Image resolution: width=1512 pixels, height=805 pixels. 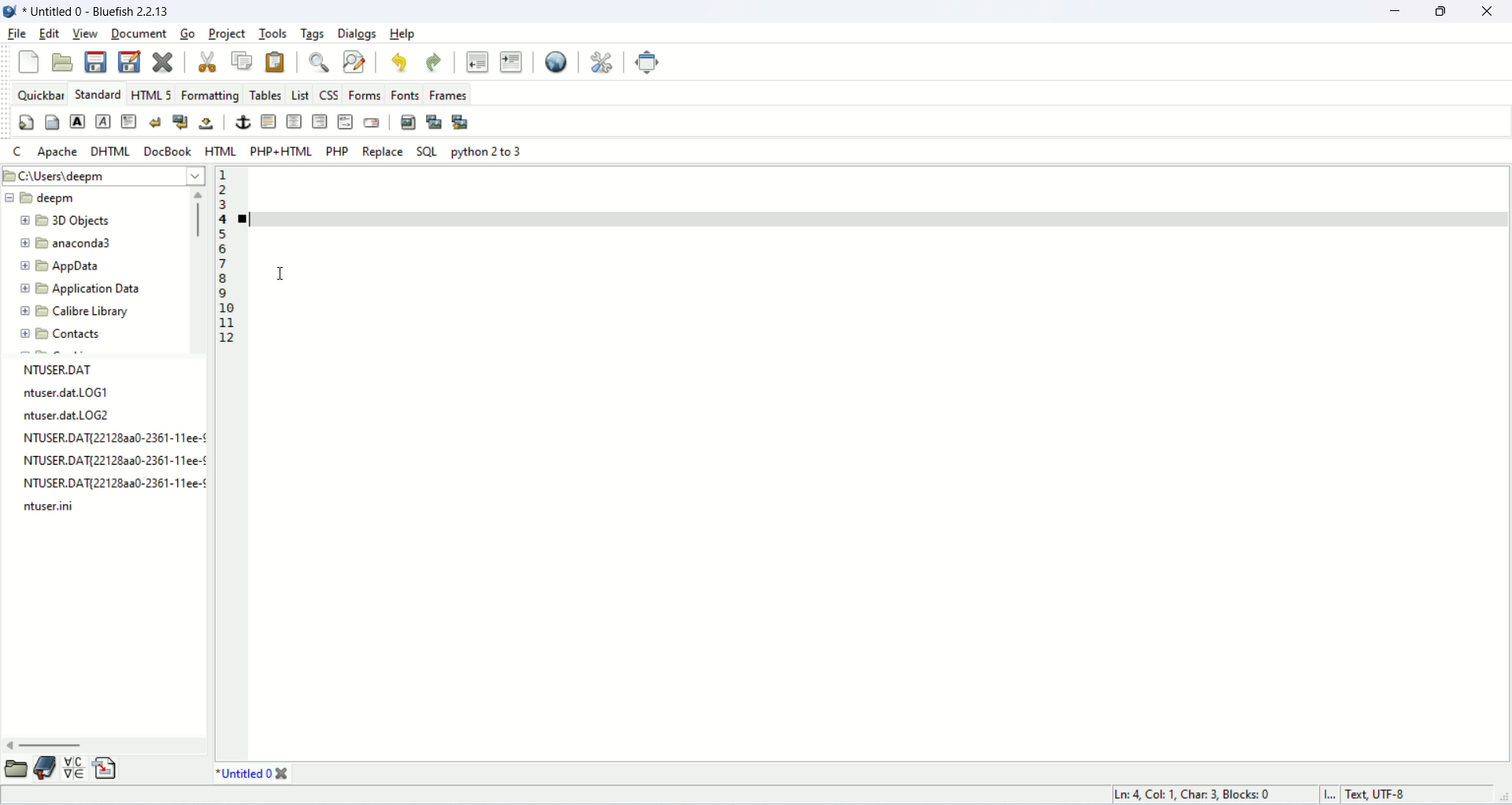 What do you see at coordinates (554, 61) in the screenshot?
I see `preview in browser` at bounding box center [554, 61].